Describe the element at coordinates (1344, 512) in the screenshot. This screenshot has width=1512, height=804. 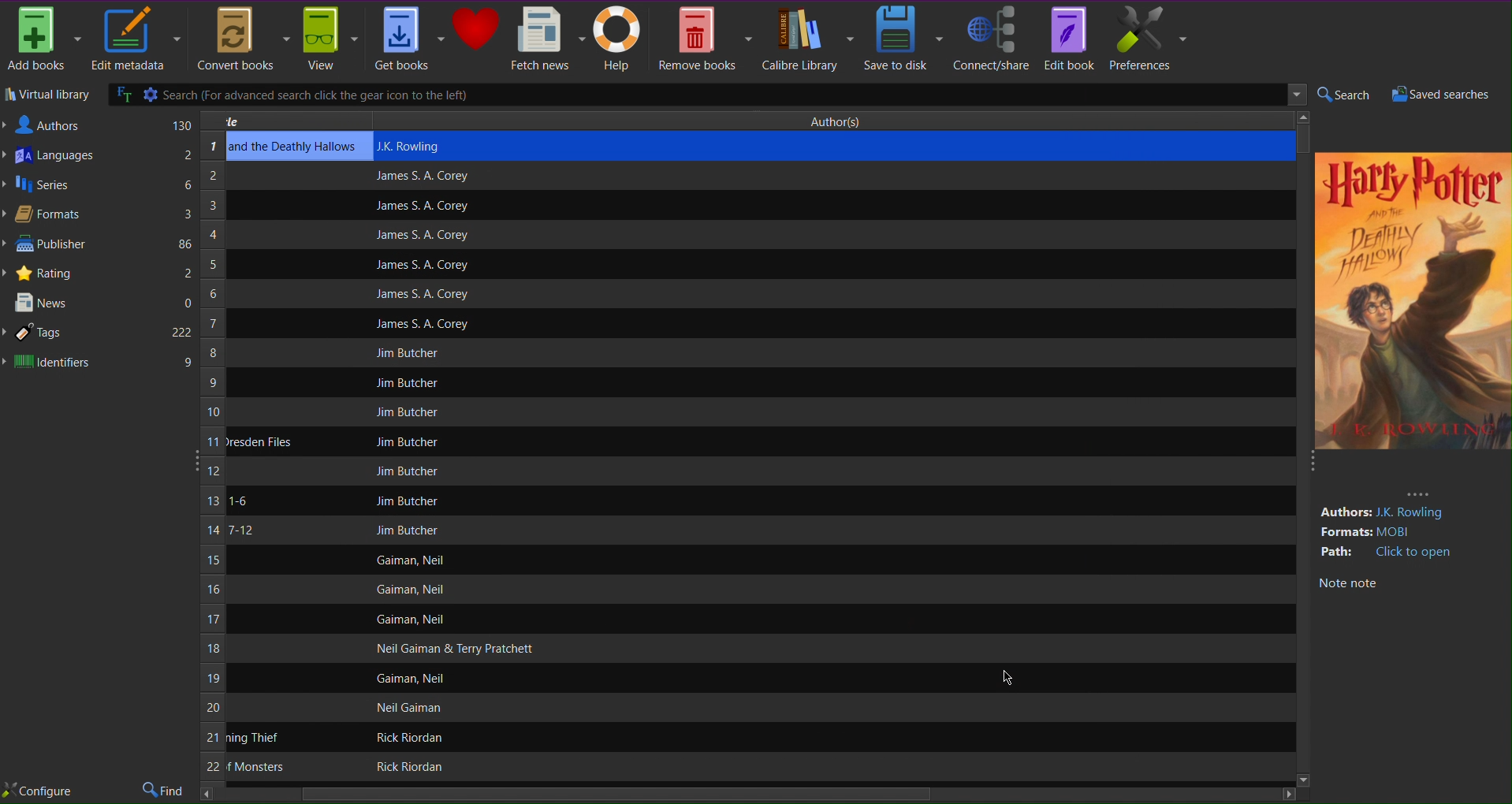
I see `Authors :` at that location.